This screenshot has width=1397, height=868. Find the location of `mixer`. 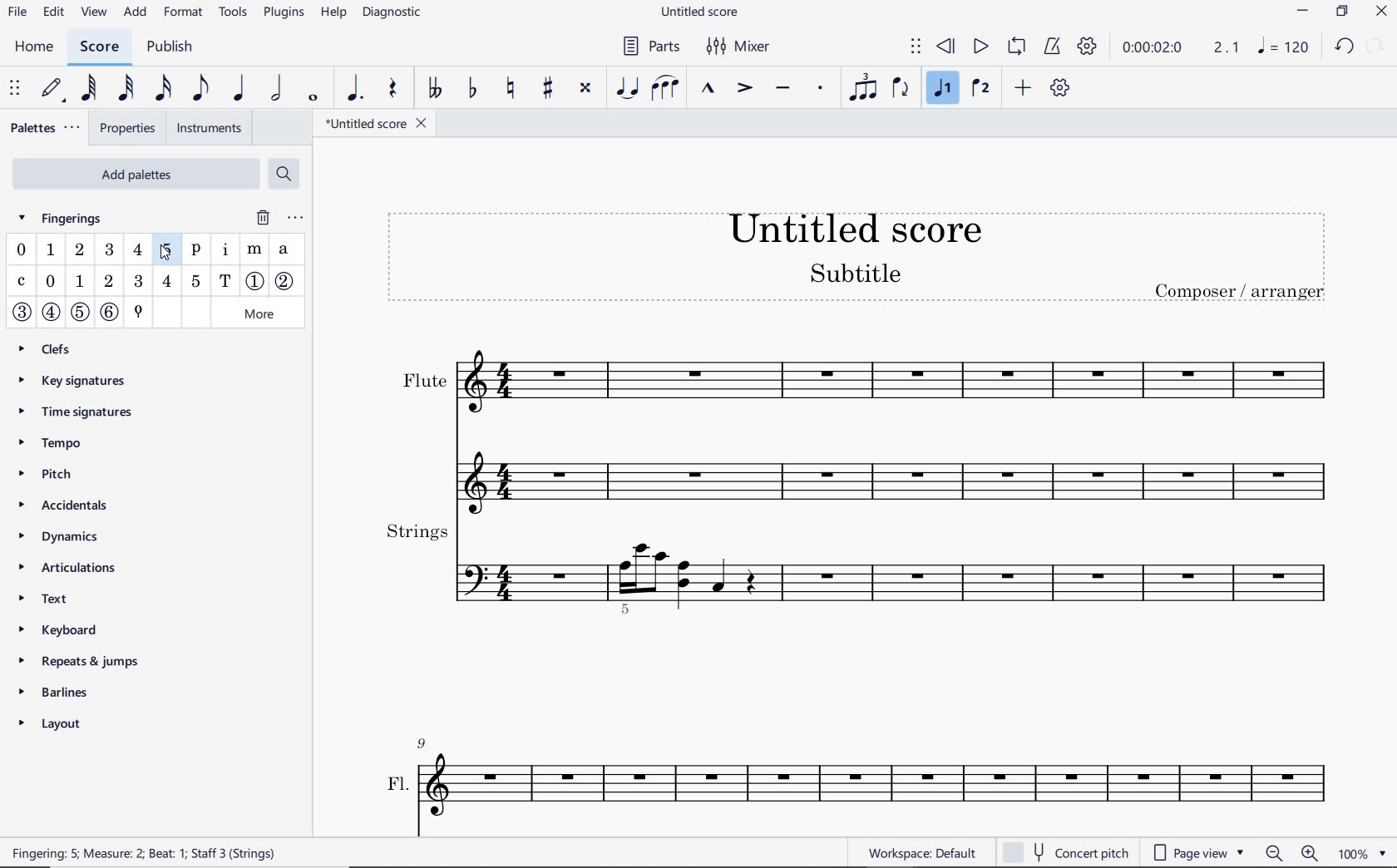

mixer is located at coordinates (738, 47).